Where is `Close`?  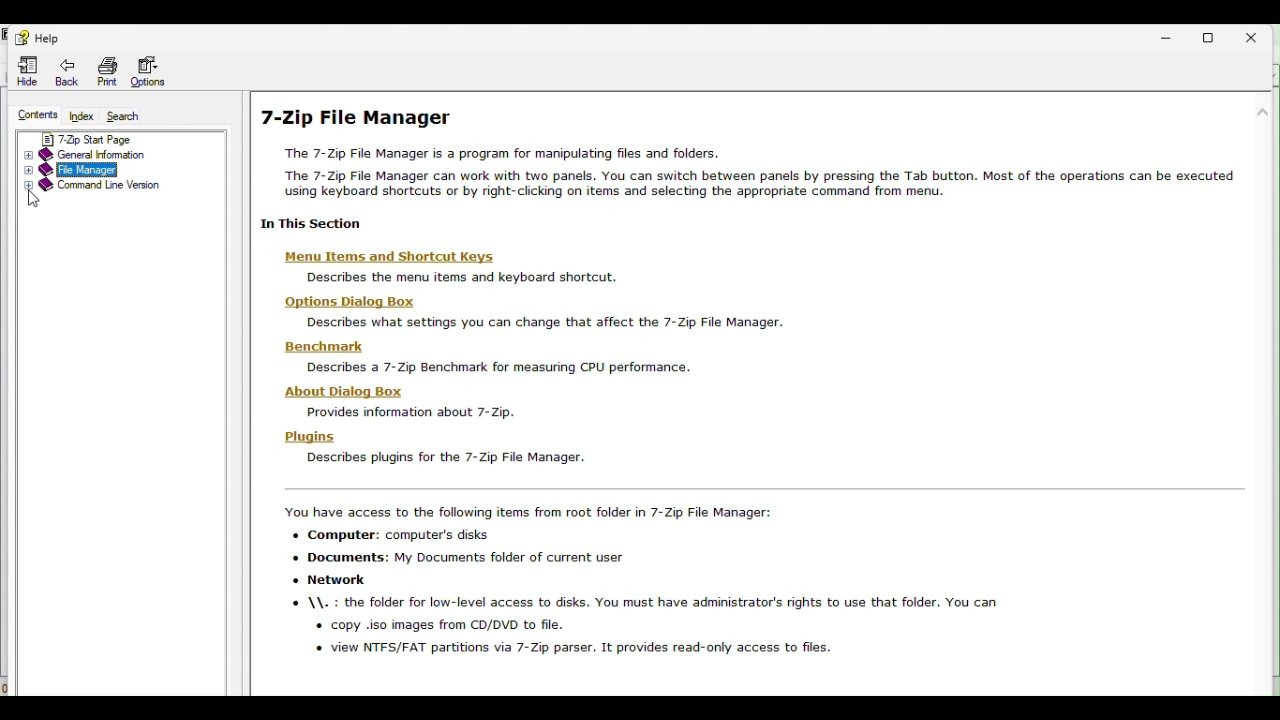
Close is located at coordinates (1254, 37).